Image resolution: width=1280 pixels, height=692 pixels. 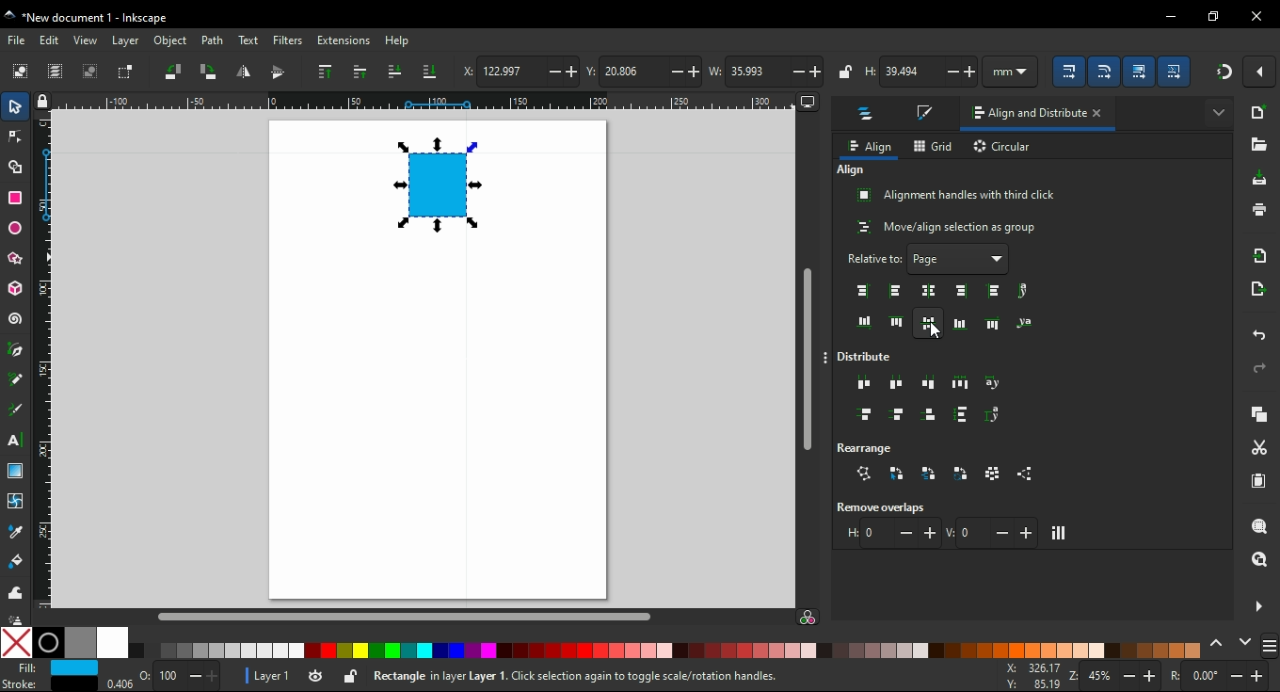 I want to click on lower, so click(x=394, y=71).